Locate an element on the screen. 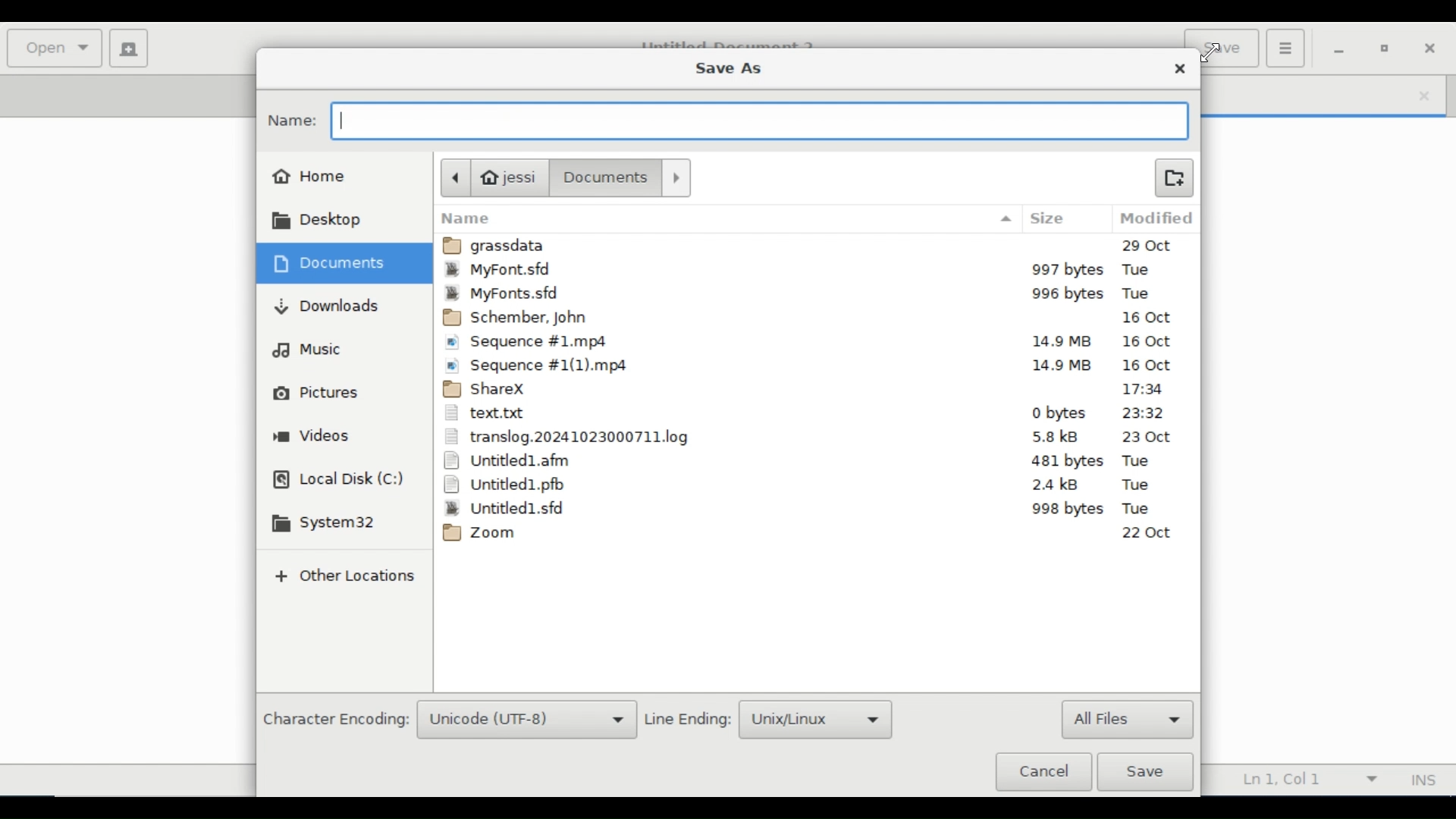  Modified is located at coordinates (1153, 218).